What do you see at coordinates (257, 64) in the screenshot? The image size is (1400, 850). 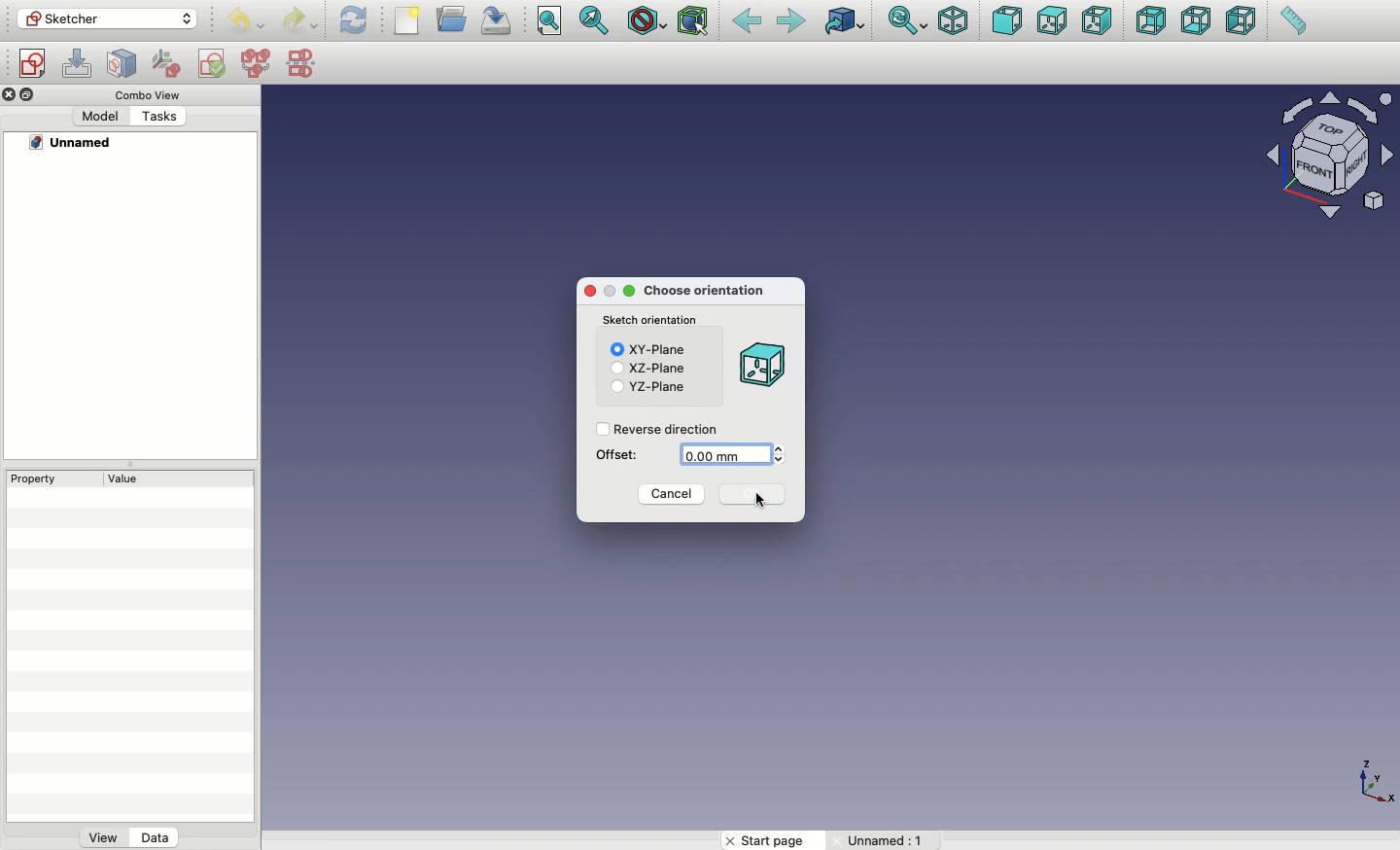 I see `Merge sketches` at bounding box center [257, 64].